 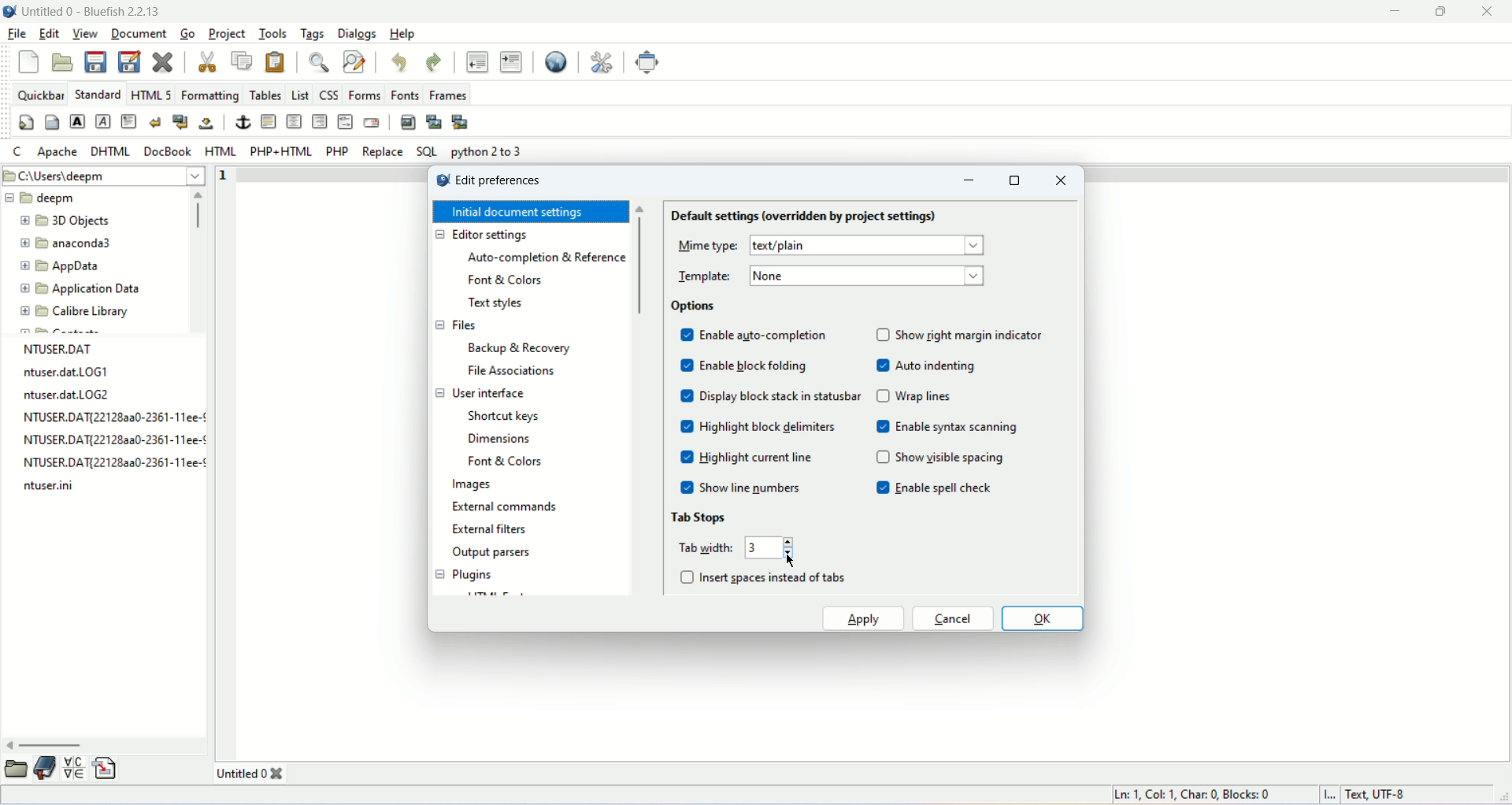 I want to click on Calibre Library, so click(x=92, y=313).